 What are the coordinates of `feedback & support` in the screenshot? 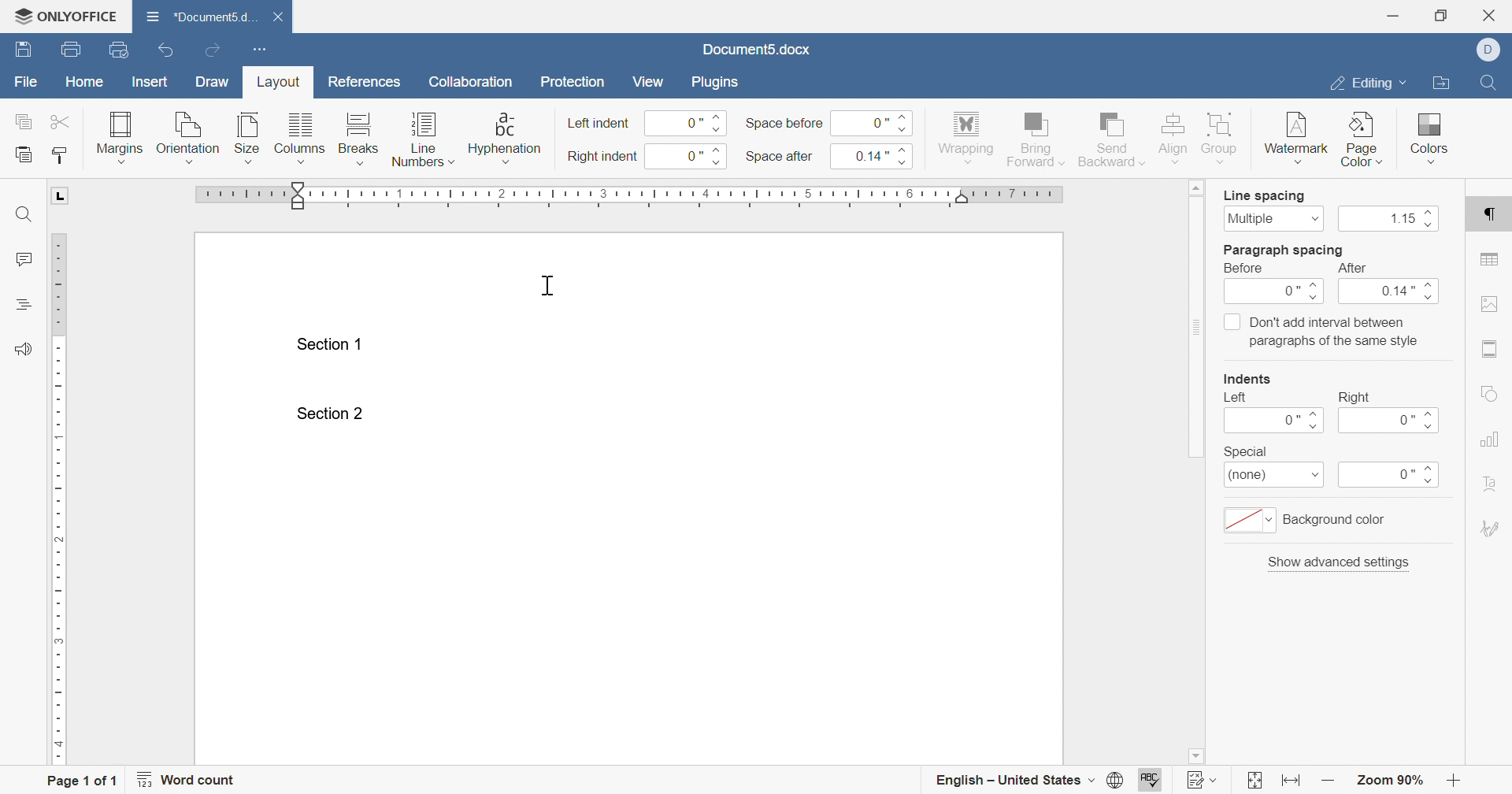 It's located at (24, 349).